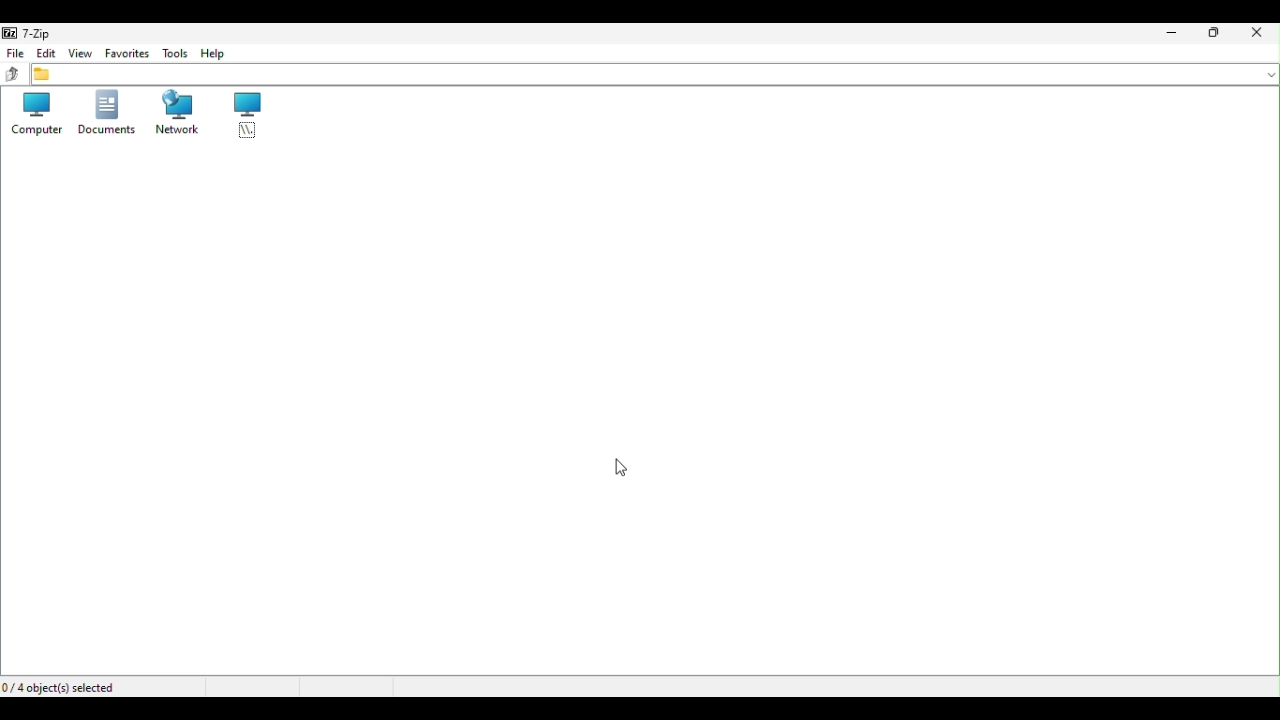 This screenshot has height=720, width=1280. I want to click on Help, so click(215, 53).